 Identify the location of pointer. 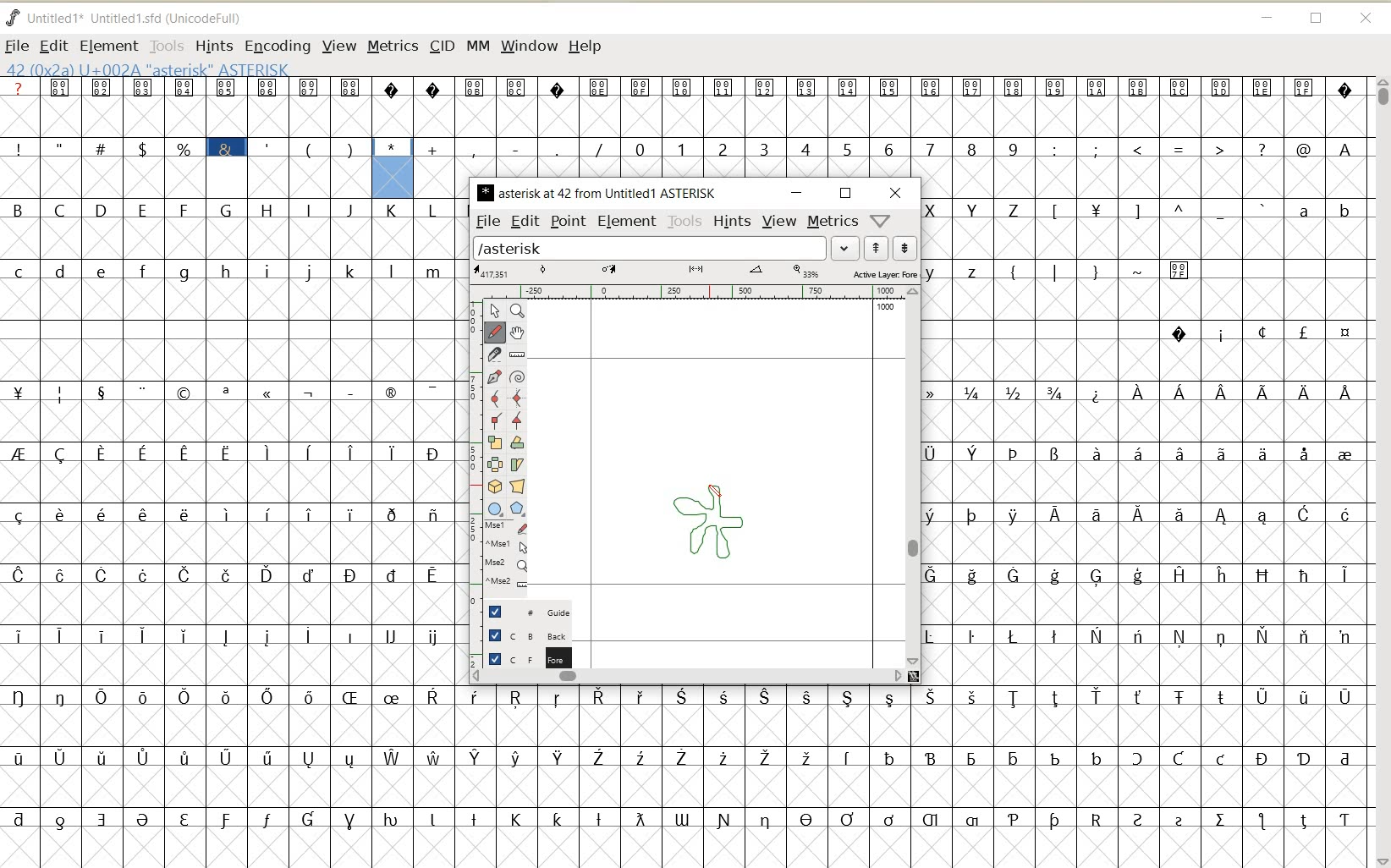
(495, 311).